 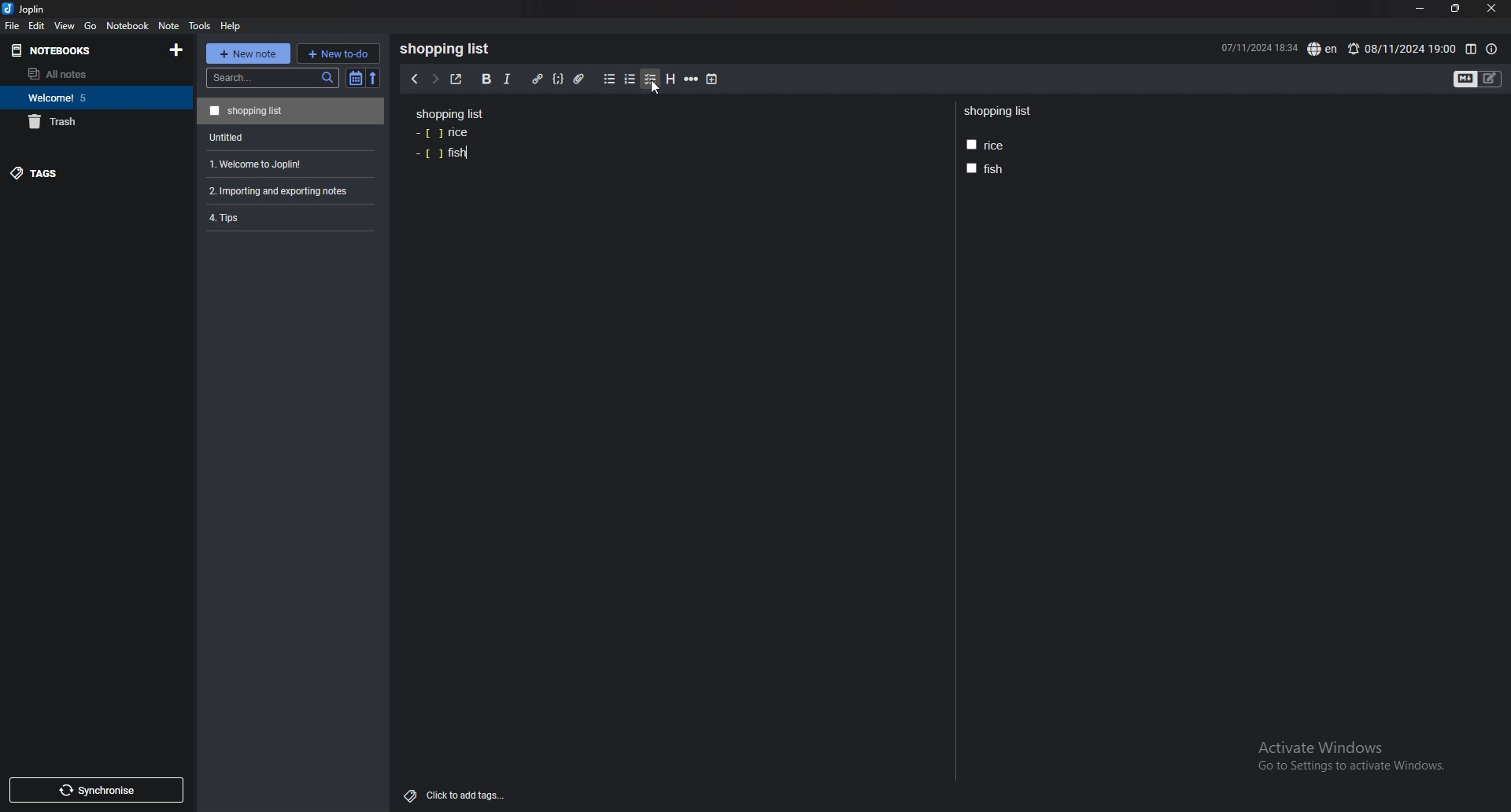 What do you see at coordinates (13, 26) in the screenshot?
I see `file` at bounding box center [13, 26].